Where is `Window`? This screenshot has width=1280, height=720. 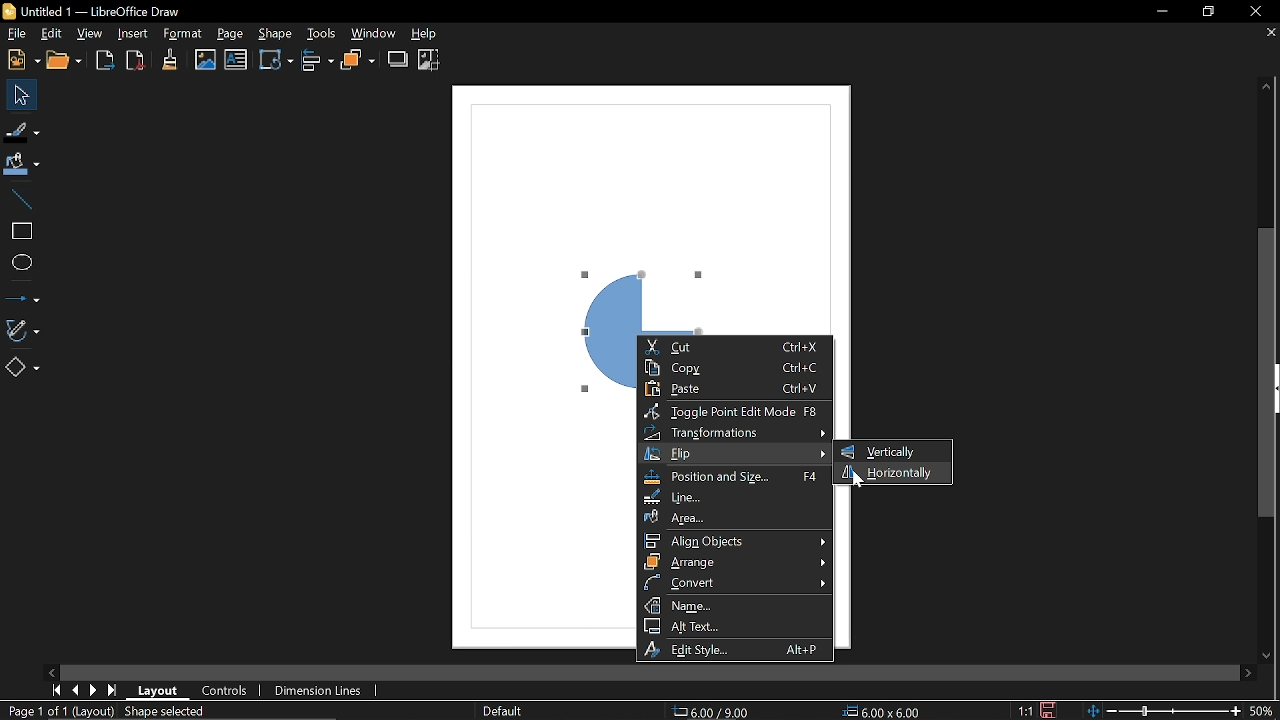 Window is located at coordinates (374, 34).